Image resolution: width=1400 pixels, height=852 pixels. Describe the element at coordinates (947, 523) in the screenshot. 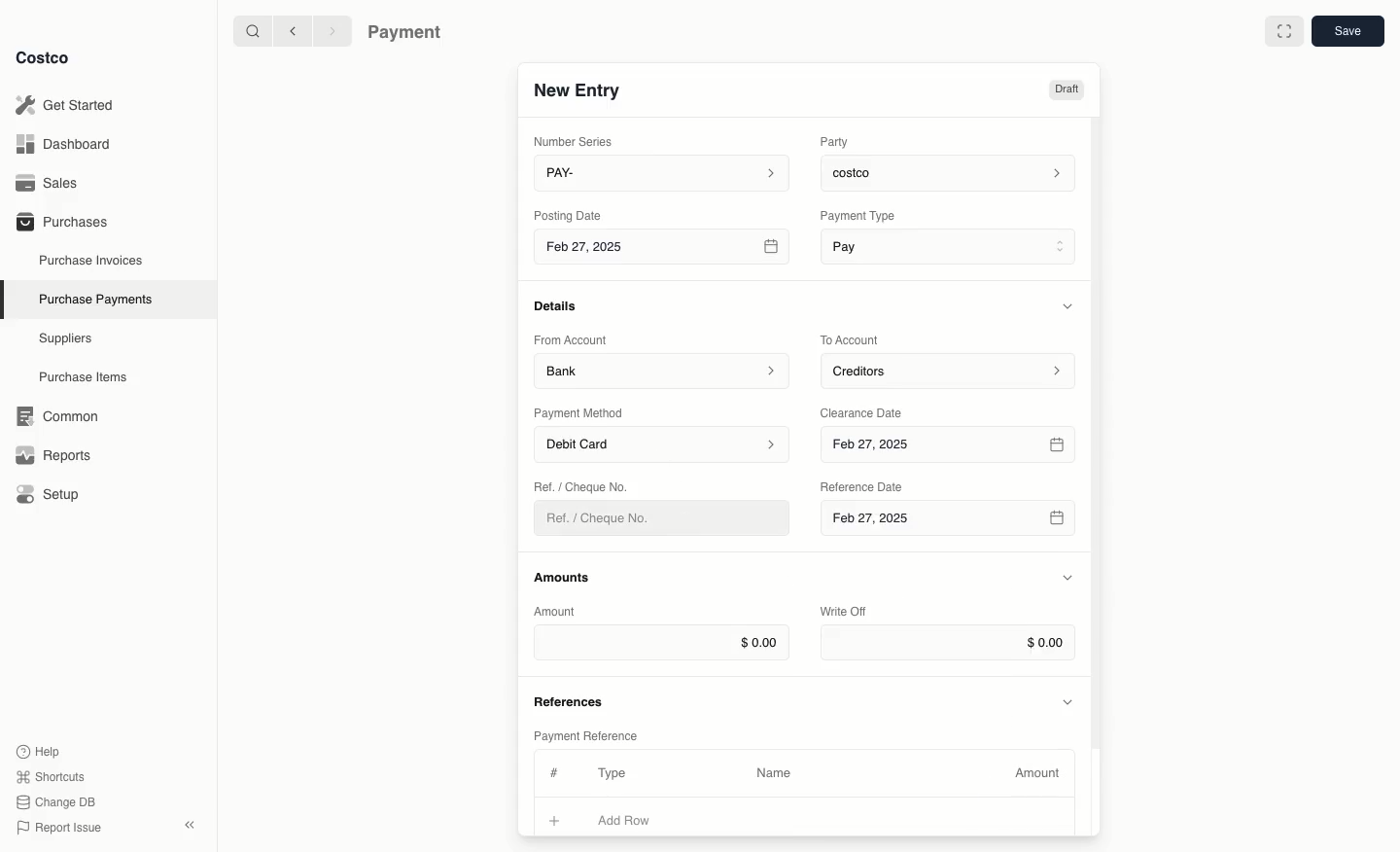

I see `Feb 27, 2025` at that location.